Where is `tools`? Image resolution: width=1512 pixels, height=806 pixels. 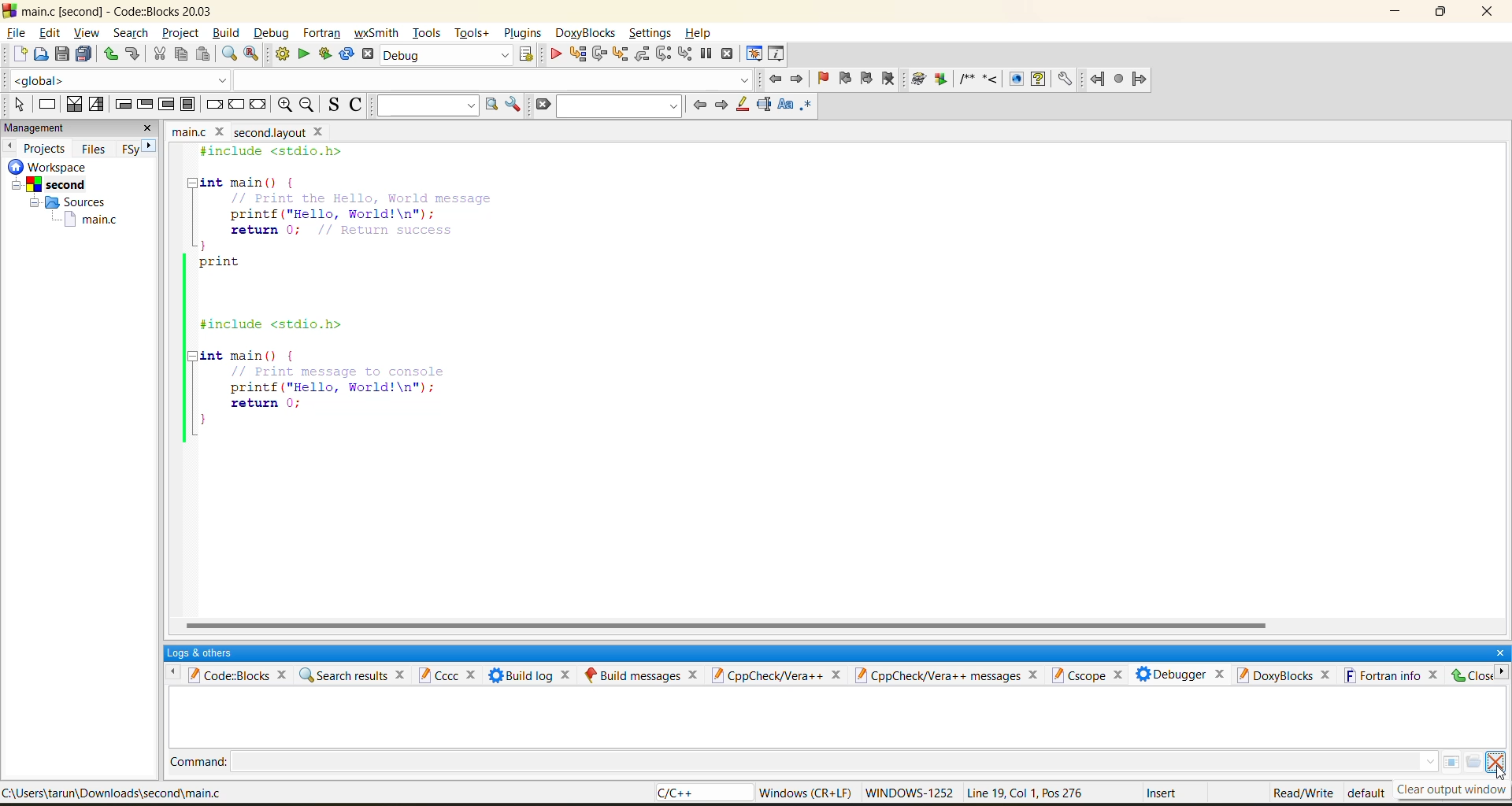 tools is located at coordinates (426, 33).